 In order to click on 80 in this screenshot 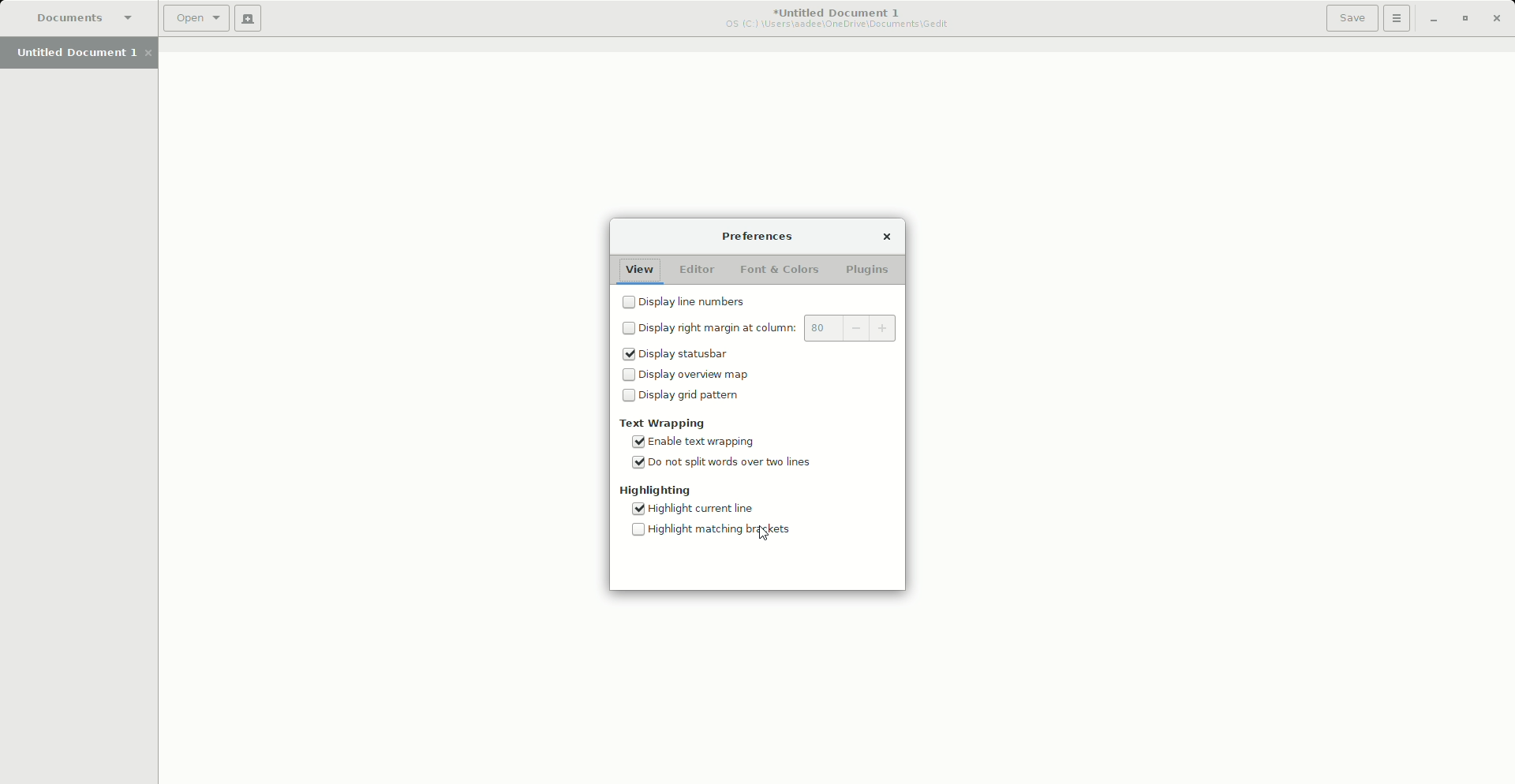, I will do `click(851, 328)`.